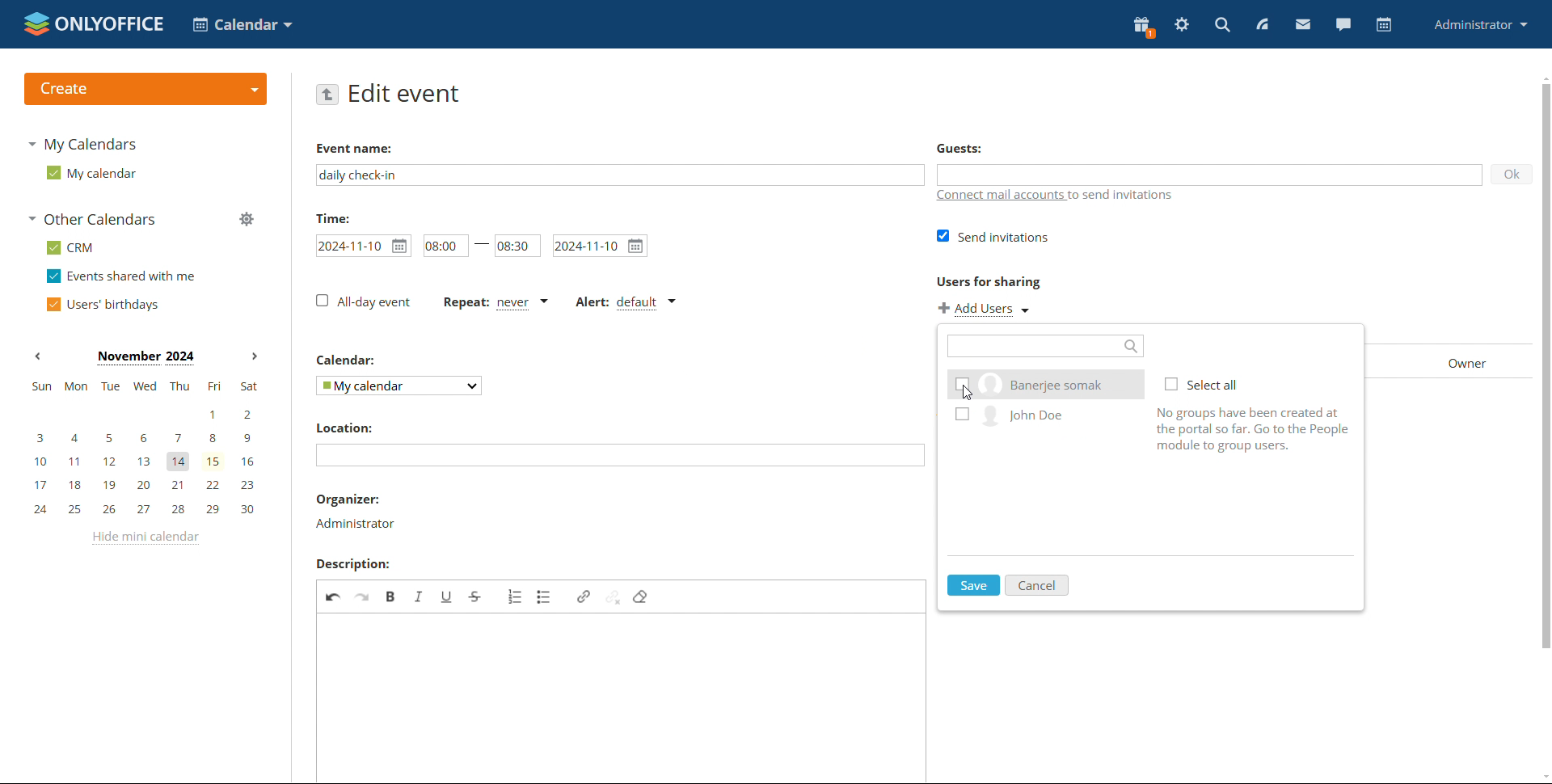 The image size is (1552, 784). Describe the element at coordinates (344, 428) in the screenshot. I see `location:` at that location.